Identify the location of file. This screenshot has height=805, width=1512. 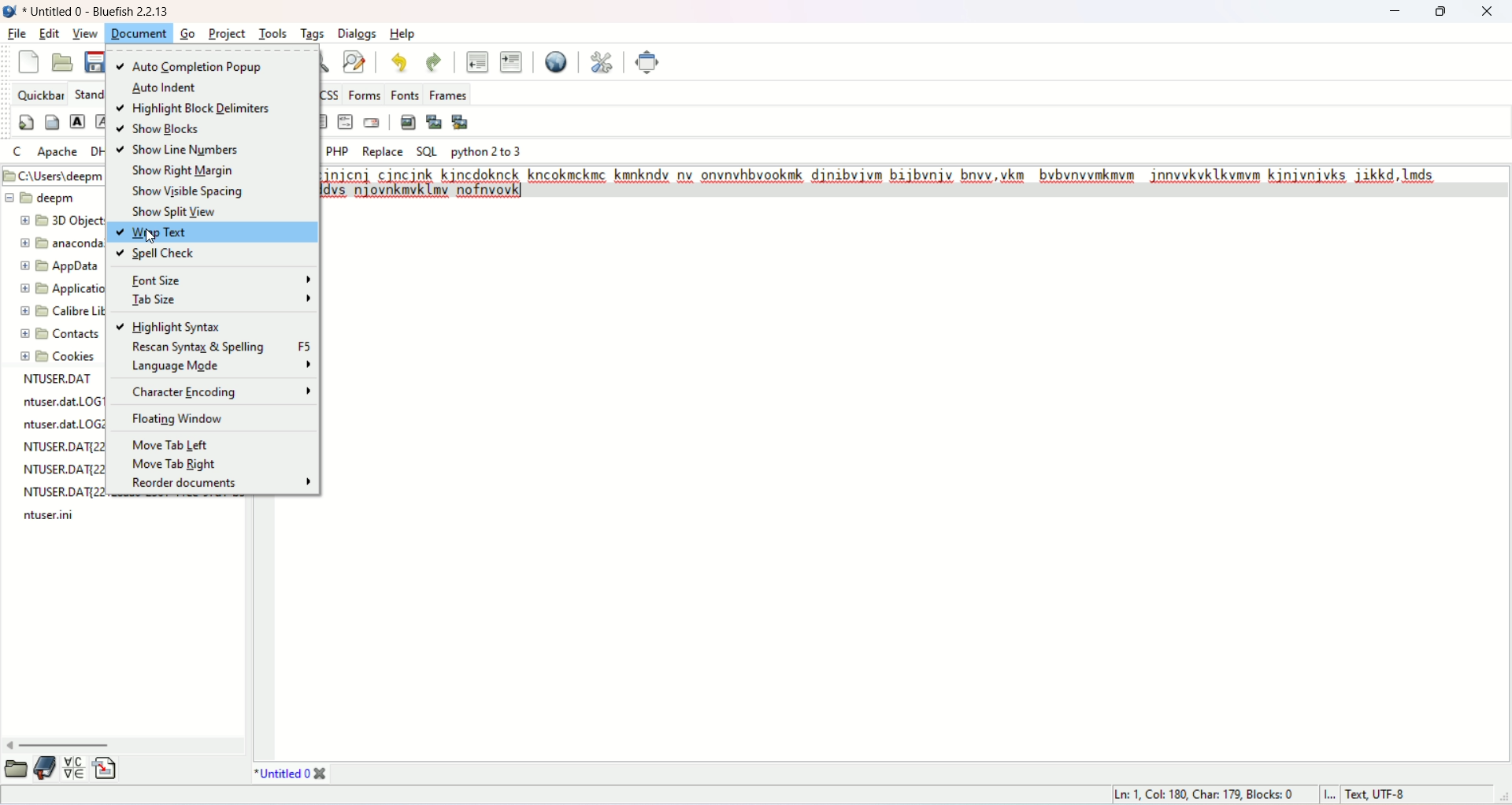
(20, 35).